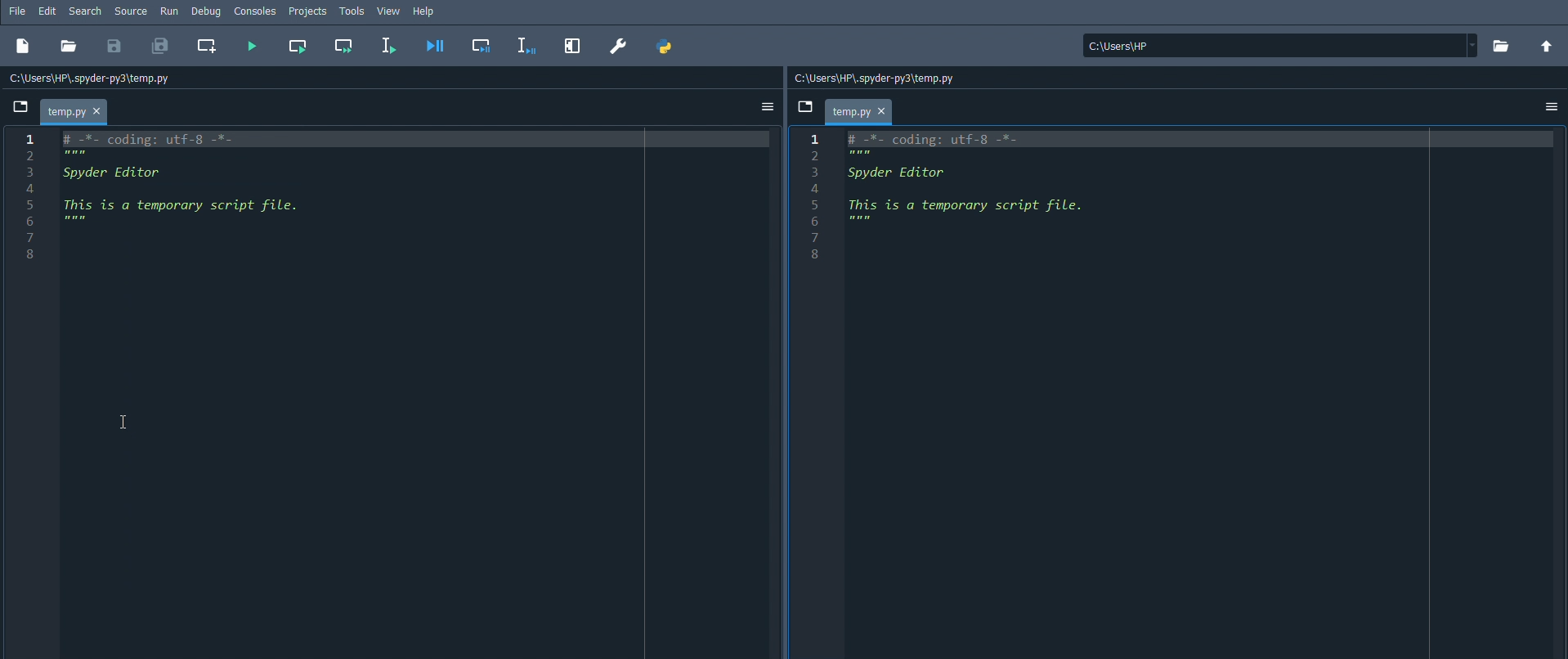 This screenshot has width=1568, height=659. Describe the element at coordinates (768, 107) in the screenshot. I see `options` at that location.